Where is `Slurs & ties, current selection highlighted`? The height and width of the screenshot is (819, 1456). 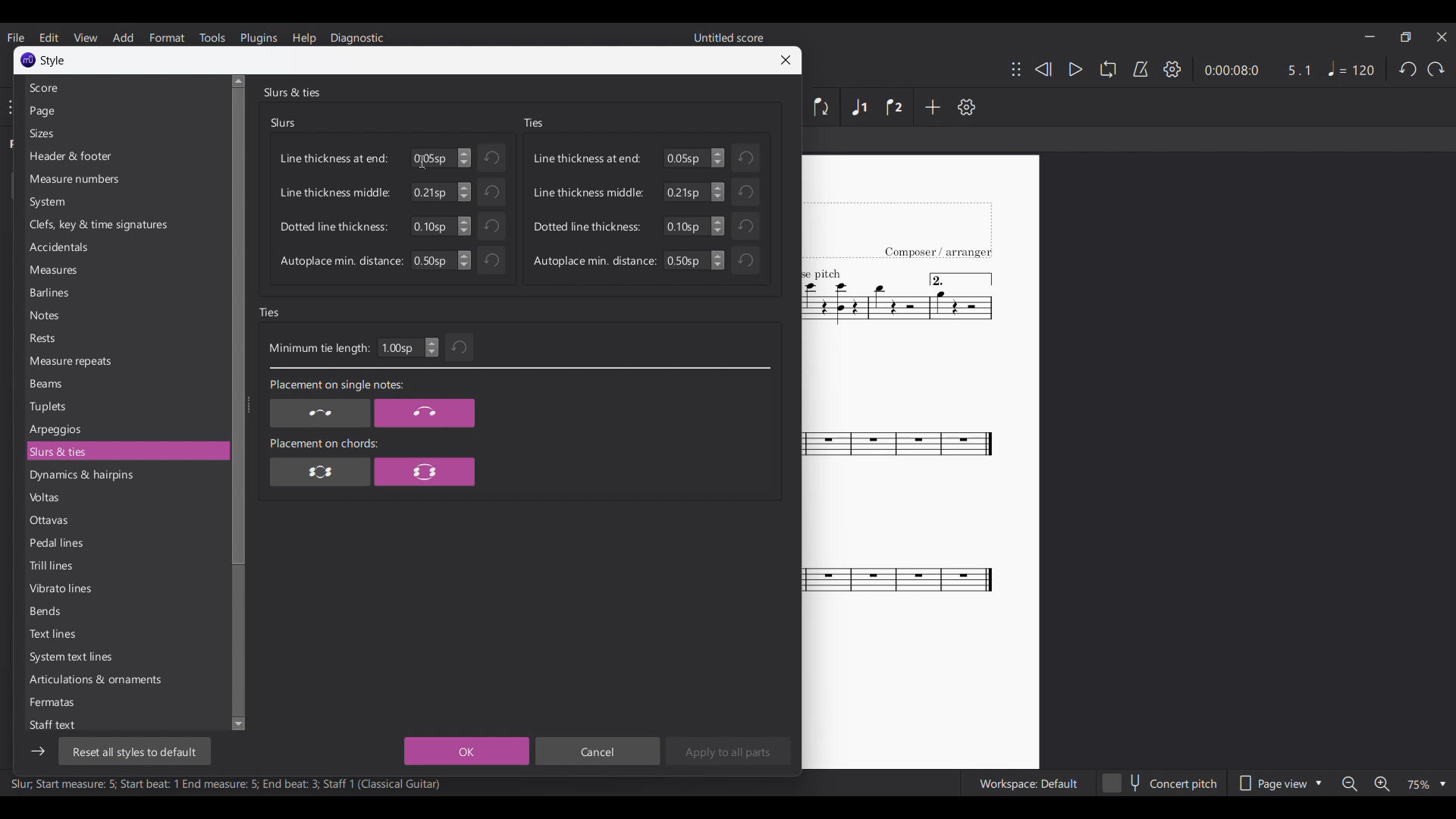
Slurs & ties, current selection highlighted is located at coordinates (125, 451).